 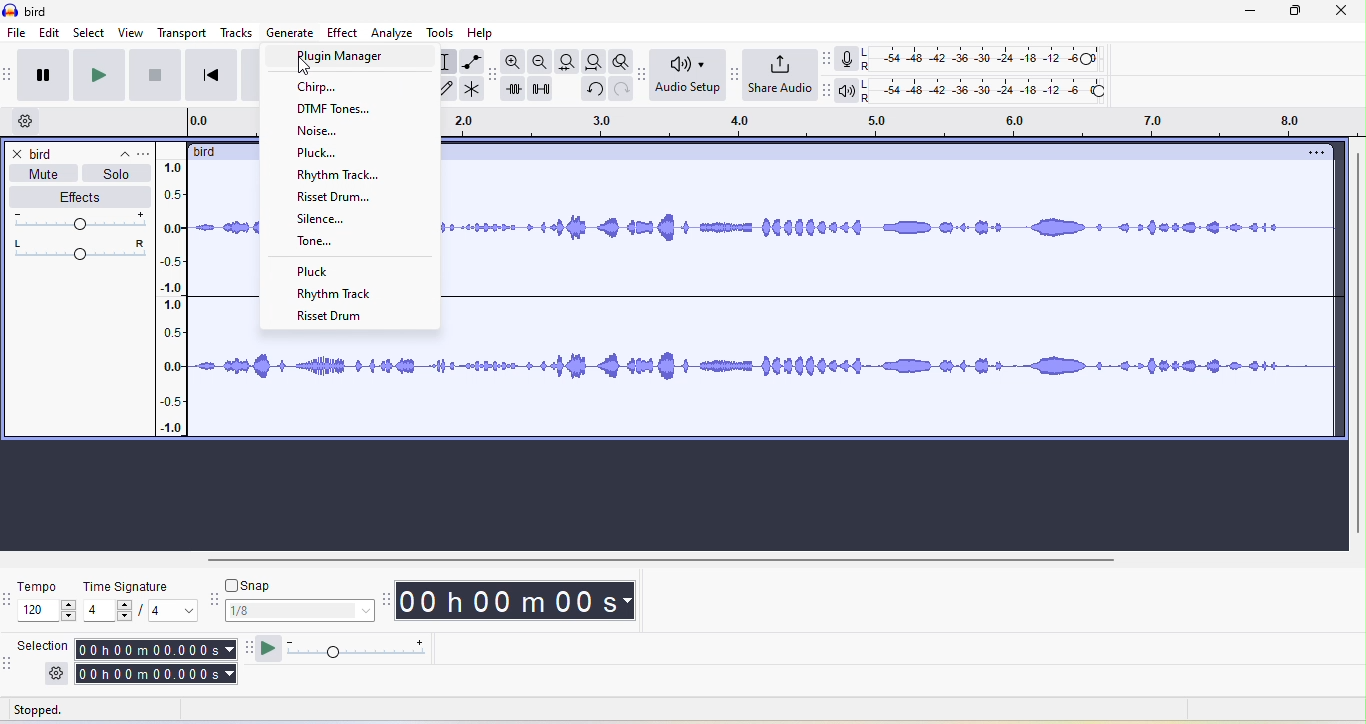 I want to click on record meter, so click(x=849, y=60).